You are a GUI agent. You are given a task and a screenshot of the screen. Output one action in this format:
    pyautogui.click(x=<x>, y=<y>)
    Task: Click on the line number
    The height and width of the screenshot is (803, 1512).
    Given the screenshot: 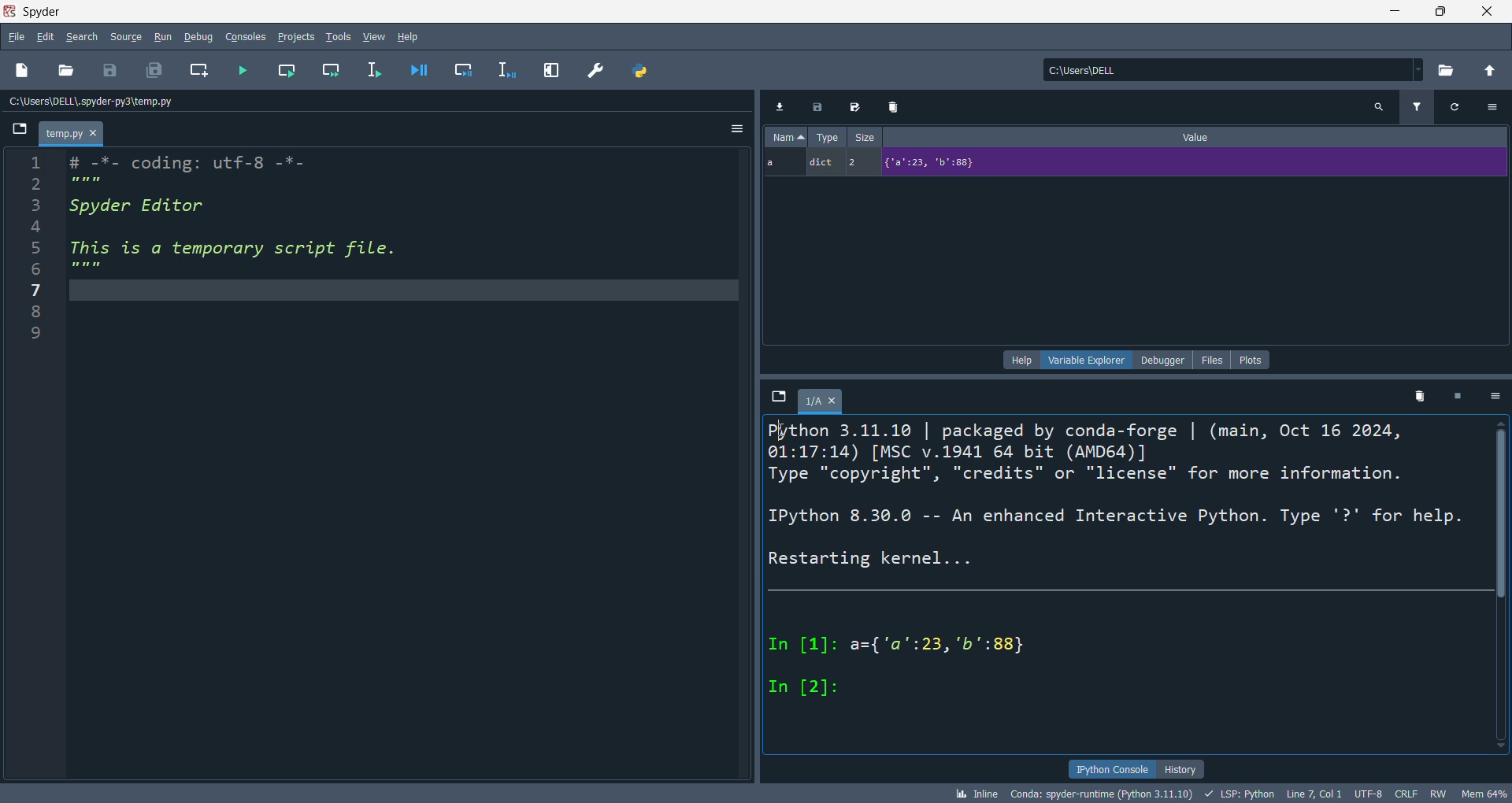 What is the action you would take?
    pyautogui.click(x=31, y=464)
    